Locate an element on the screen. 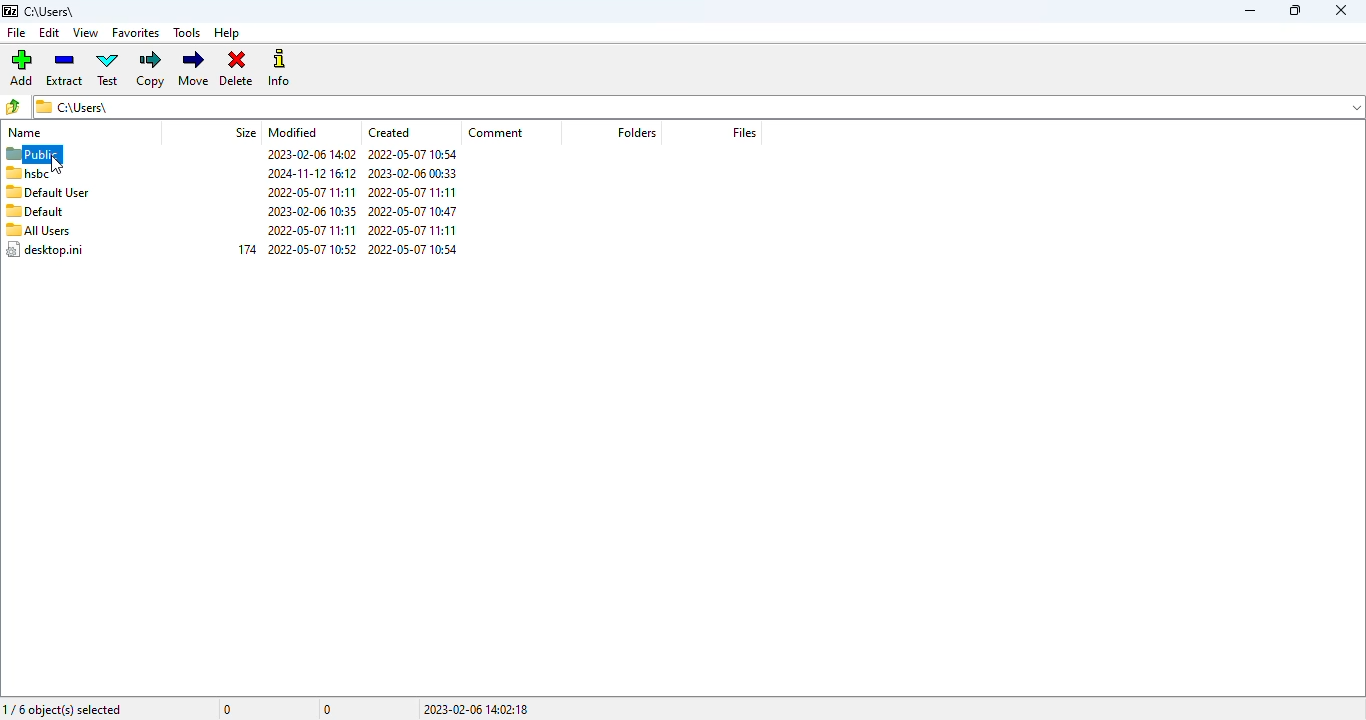 Image resolution: width=1366 pixels, height=720 pixels. maximize is located at coordinates (1296, 11).